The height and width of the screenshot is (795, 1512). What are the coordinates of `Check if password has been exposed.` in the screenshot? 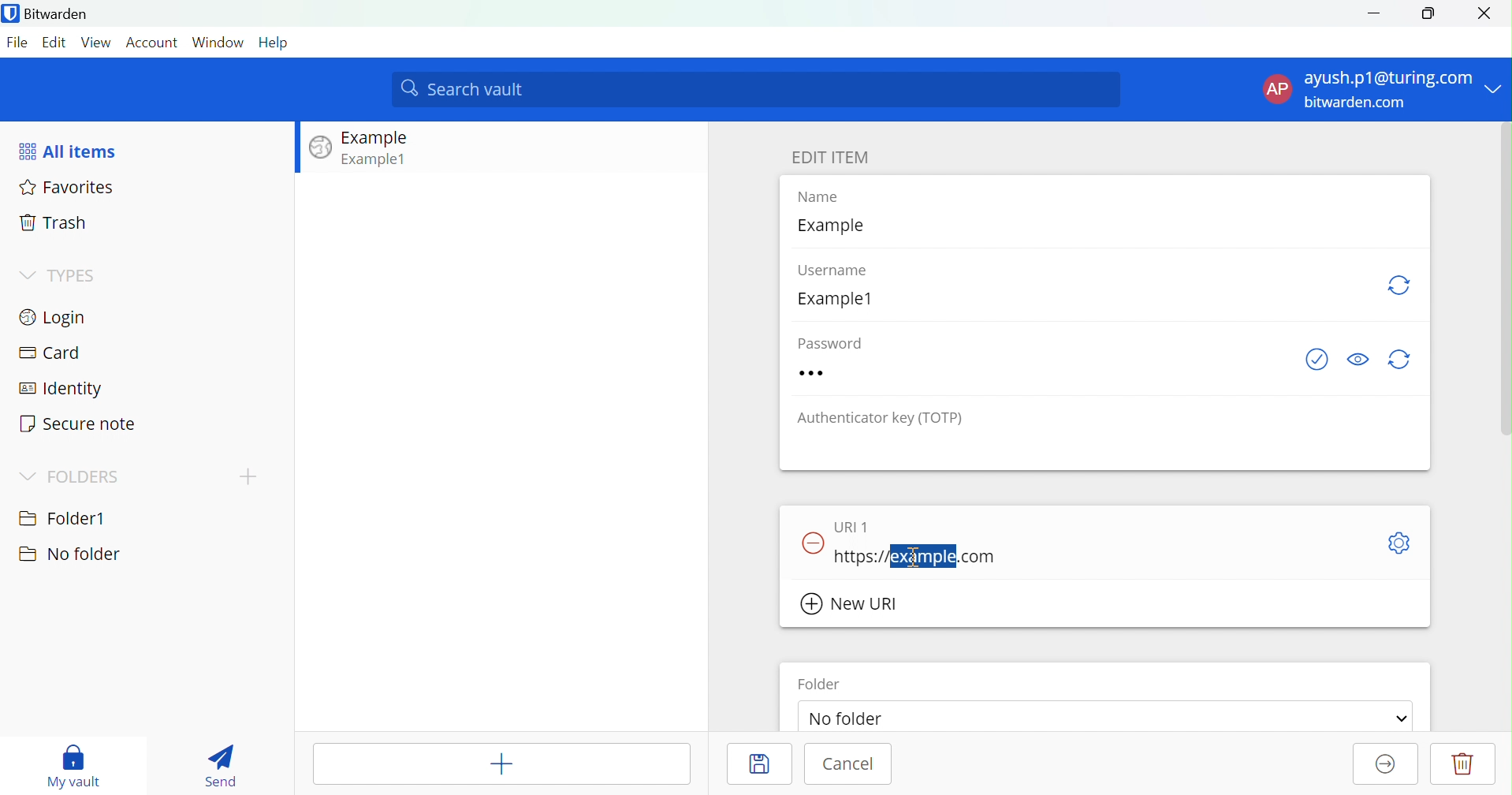 It's located at (1316, 360).